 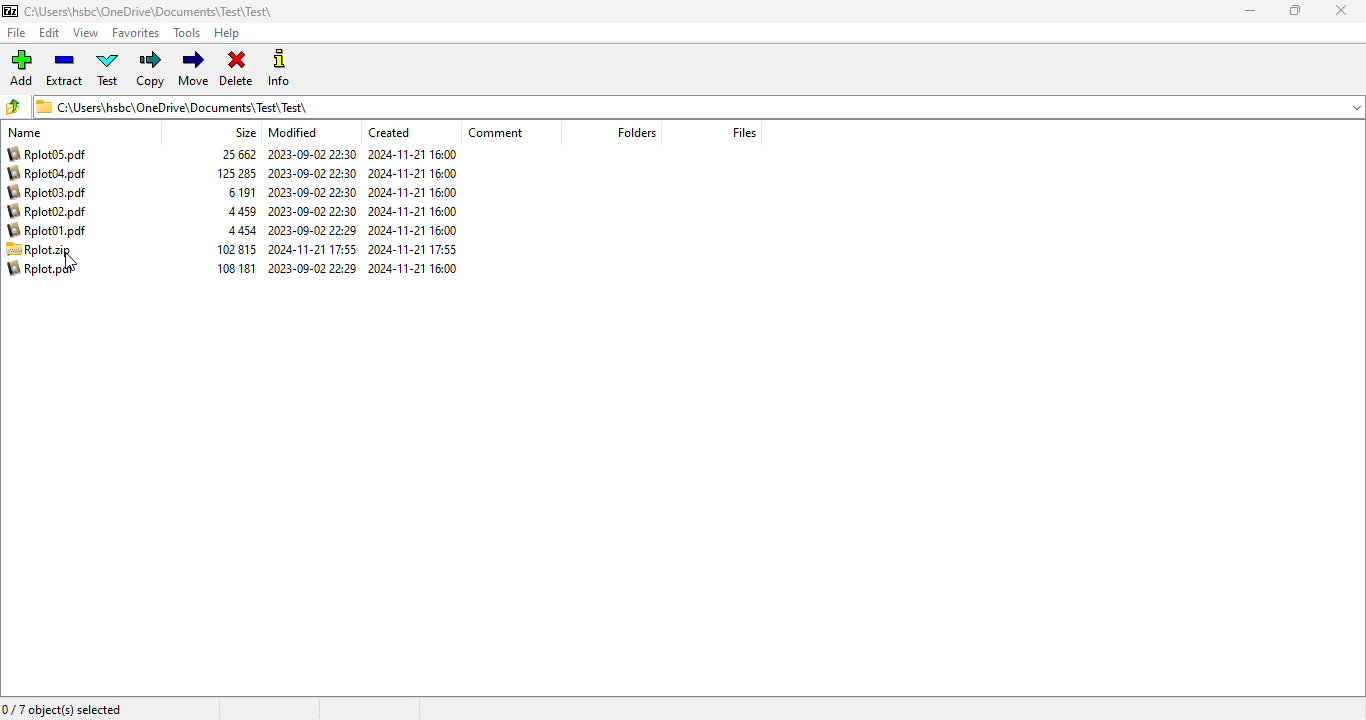 What do you see at coordinates (64, 710) in the screenshot?
I see `0/7 object(s) selected` at bounding box center [64, 710].